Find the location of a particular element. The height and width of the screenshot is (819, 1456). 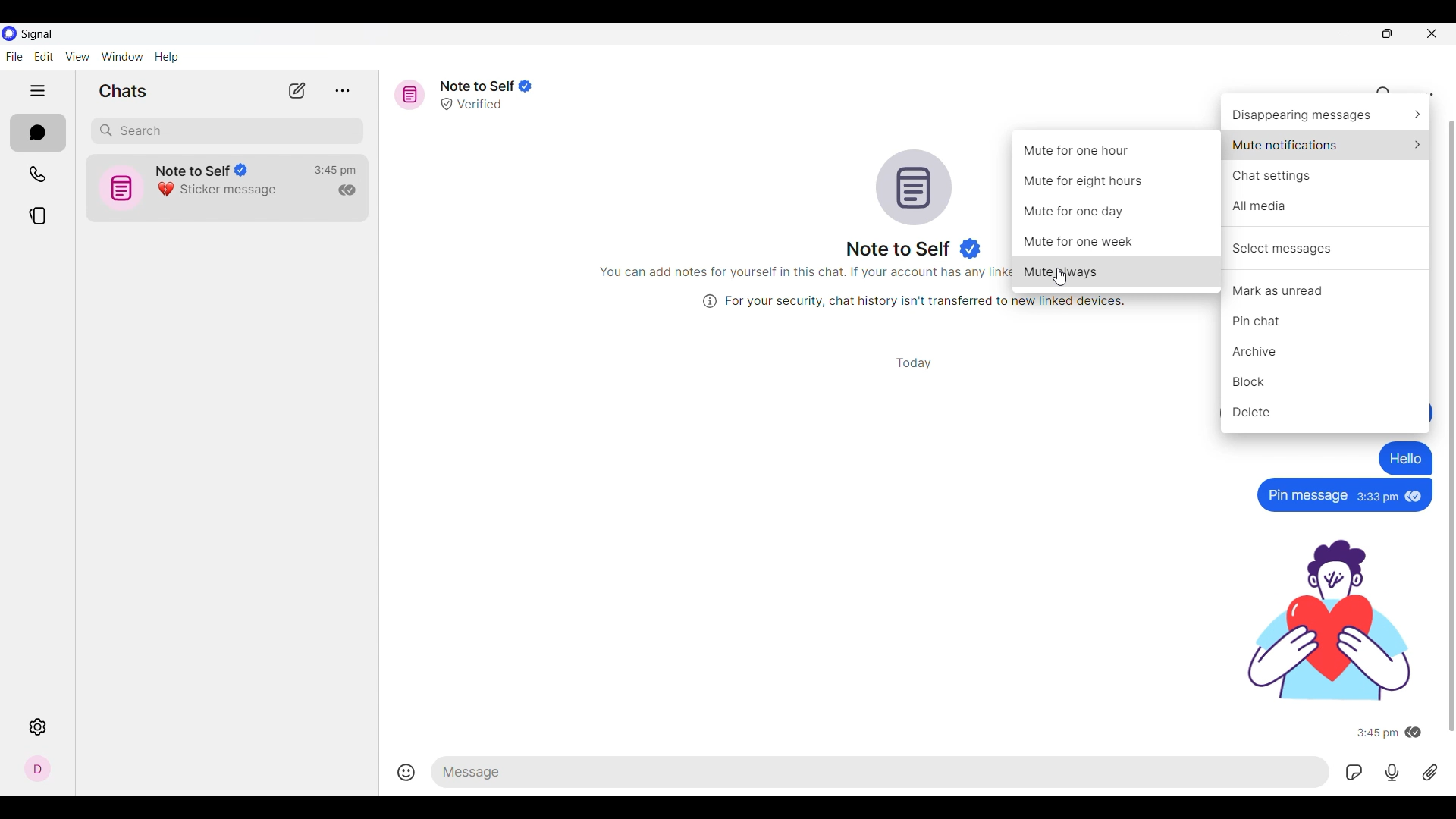

New chat is located at coordinates (297, 91).